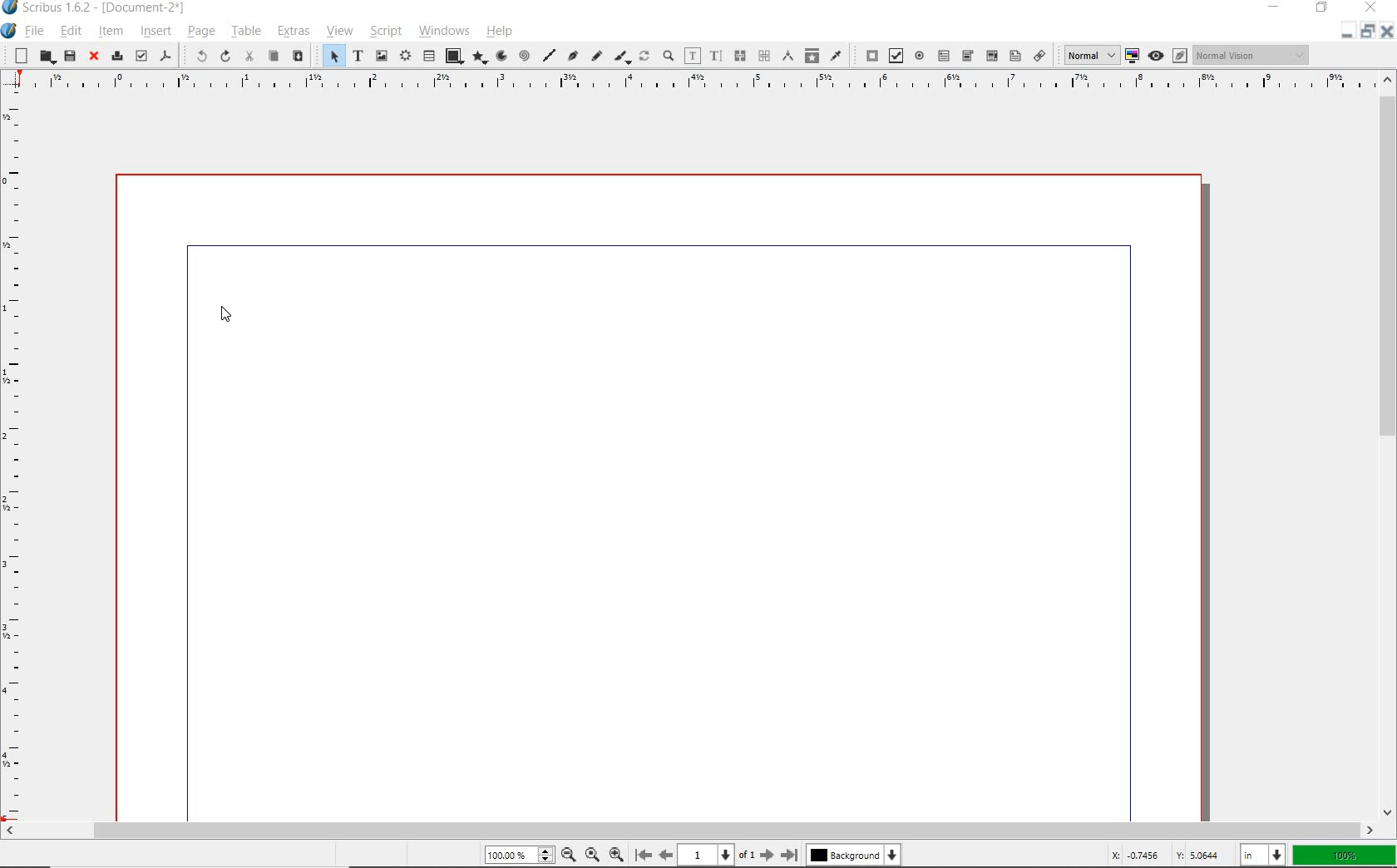 The height and width of the screenshot is (868, 1397). I want to click on help, so click(502, 31).